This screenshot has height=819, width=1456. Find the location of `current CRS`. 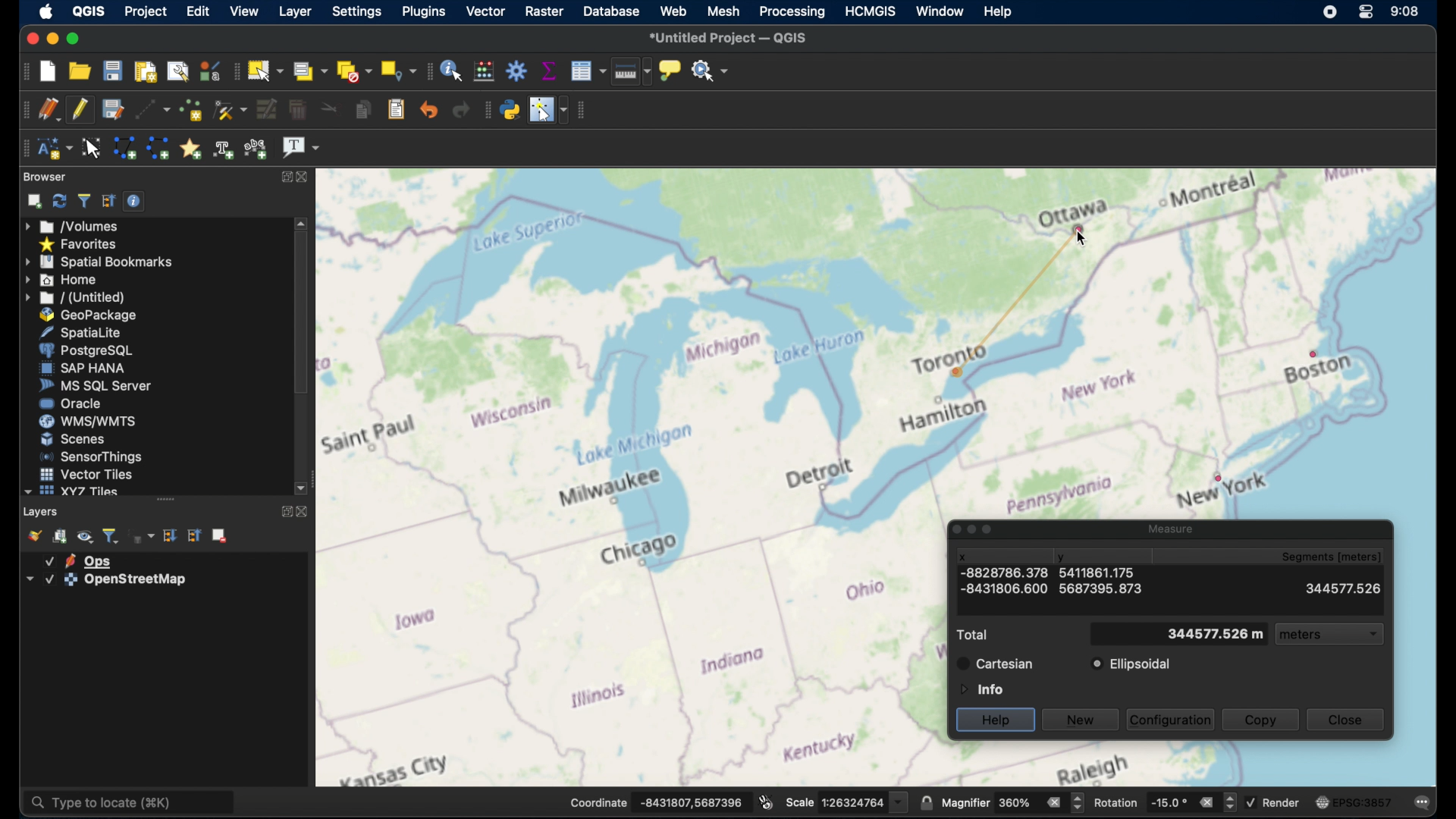

current CRS is located at coordinates (1354, 800).